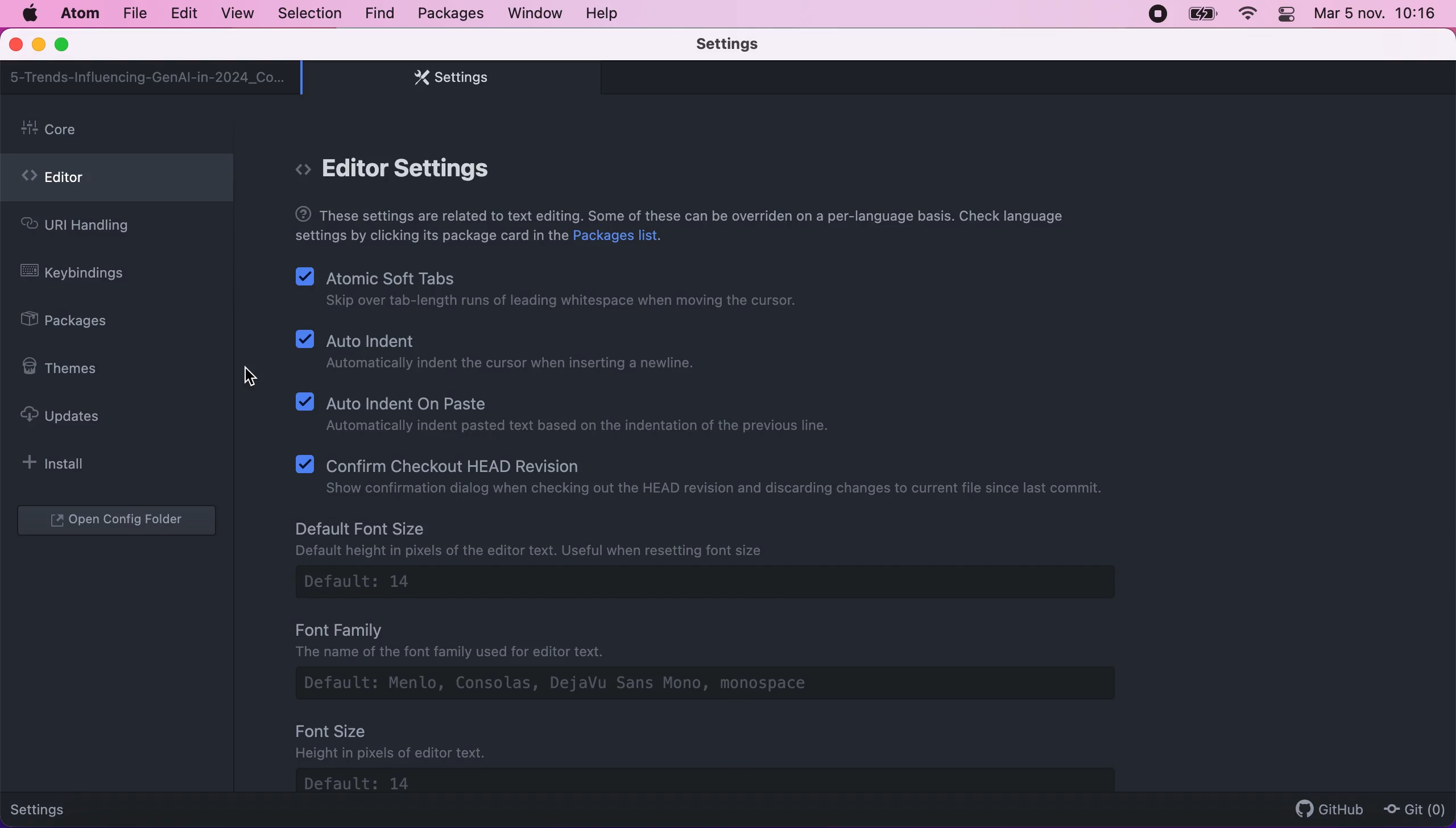 This screenshot has width=1456, height=828. What do you see at coordinates (717, 561) in the screenshot?
I see `default font size` at bounding box center [717, 561].